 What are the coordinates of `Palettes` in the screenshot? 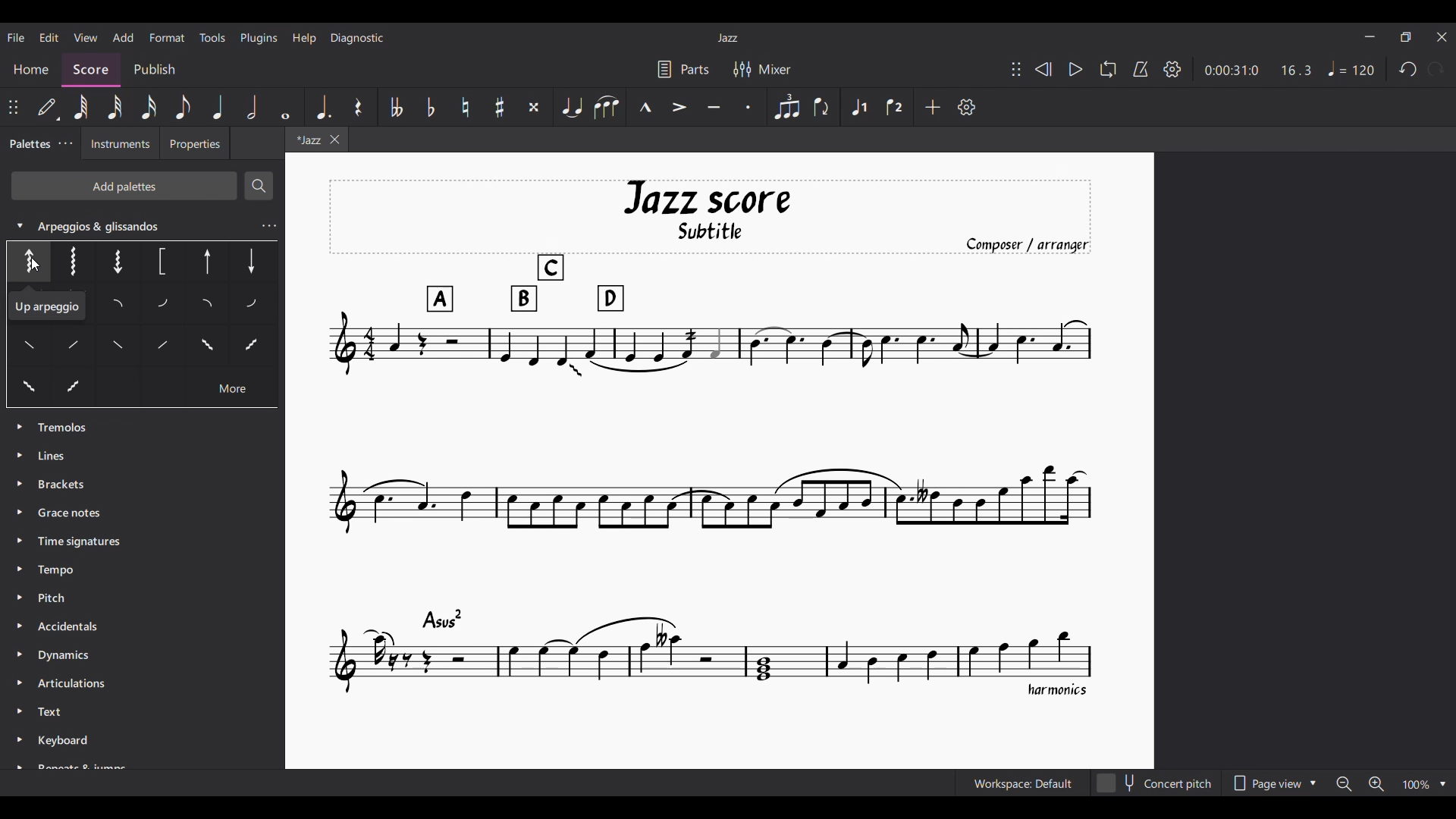 It's located at (30, 143).